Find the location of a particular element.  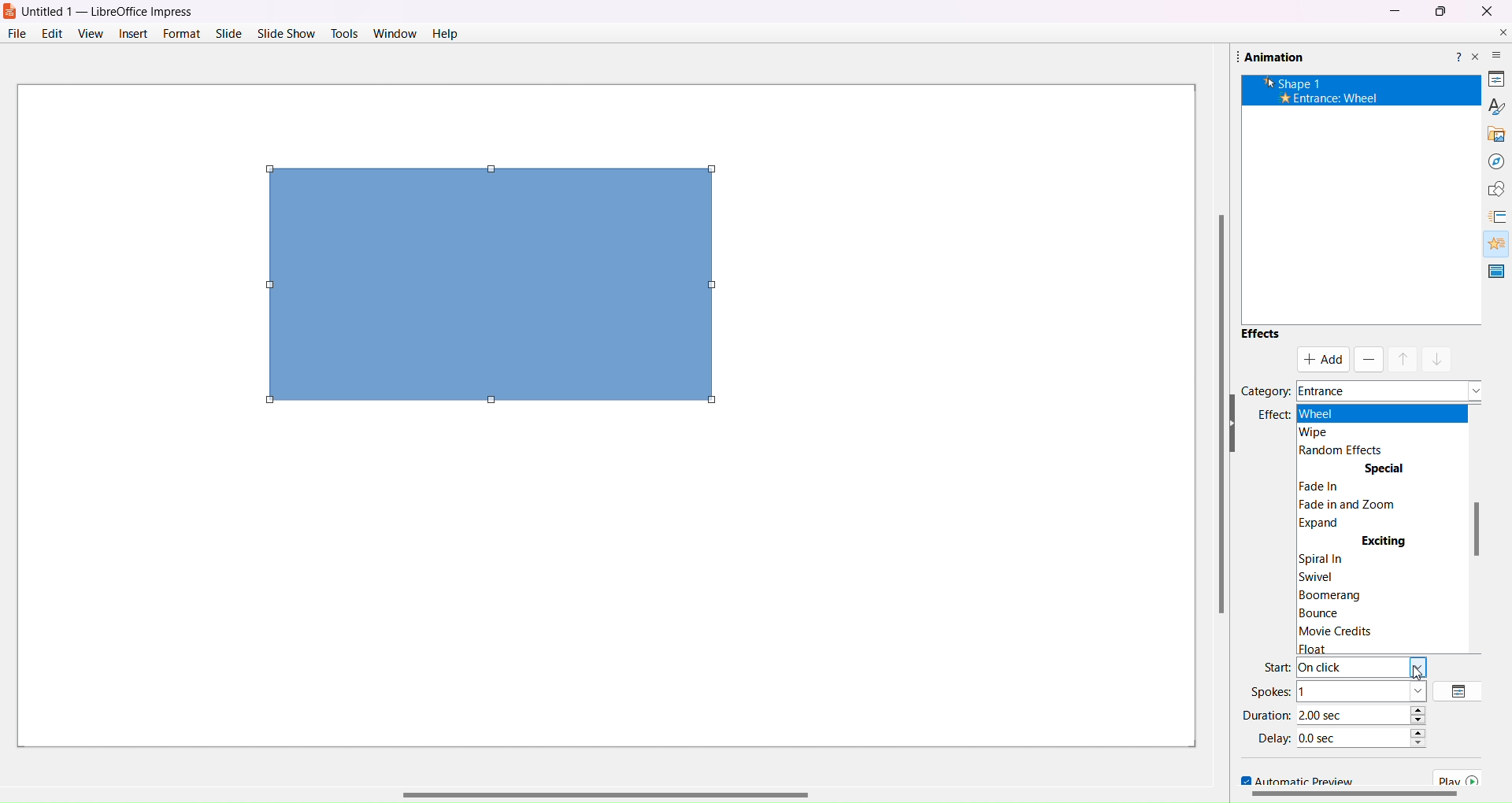

Gallery is located at coordinates (1491, 131).